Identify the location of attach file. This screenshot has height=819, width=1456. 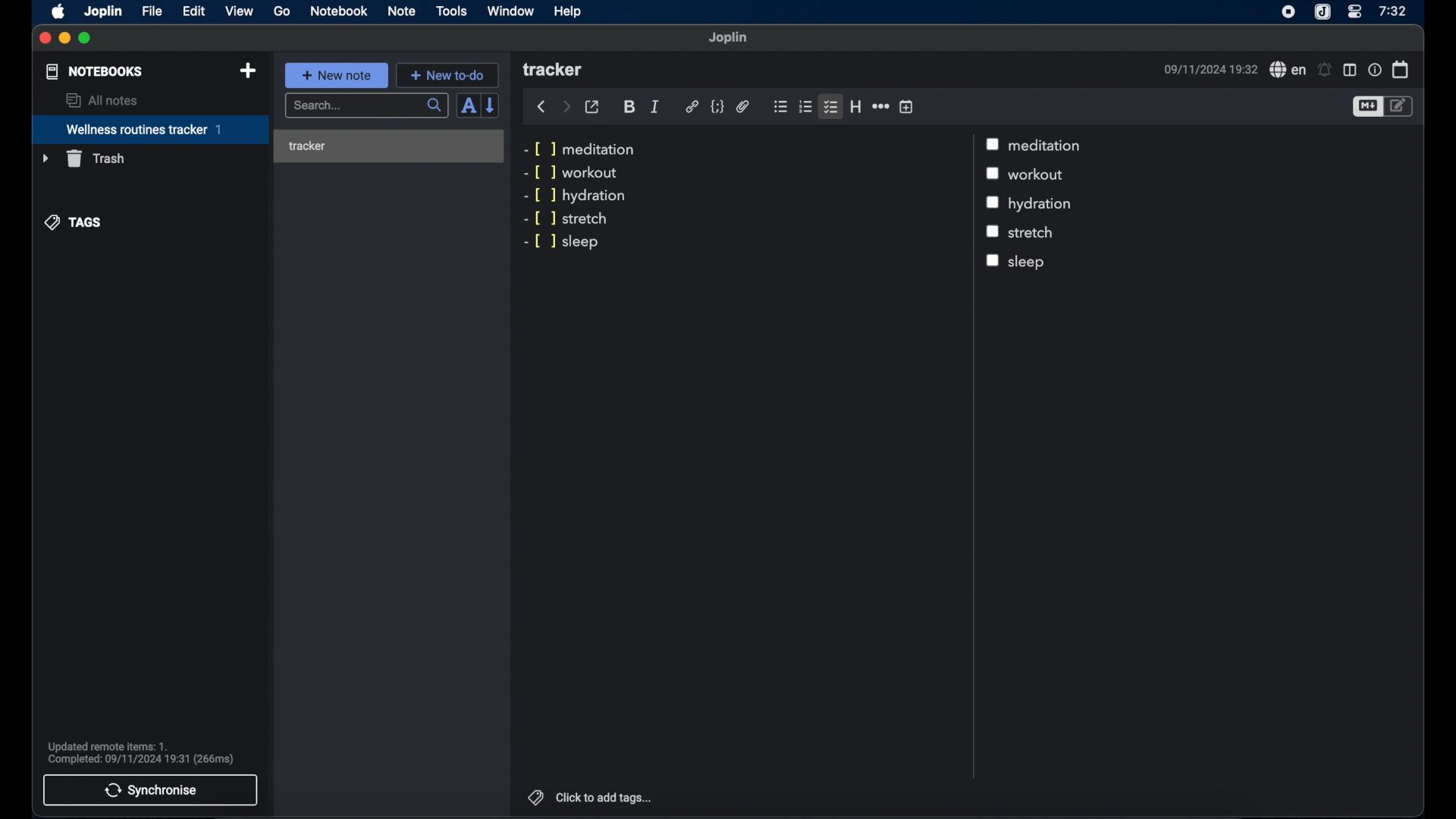
(743, 108).